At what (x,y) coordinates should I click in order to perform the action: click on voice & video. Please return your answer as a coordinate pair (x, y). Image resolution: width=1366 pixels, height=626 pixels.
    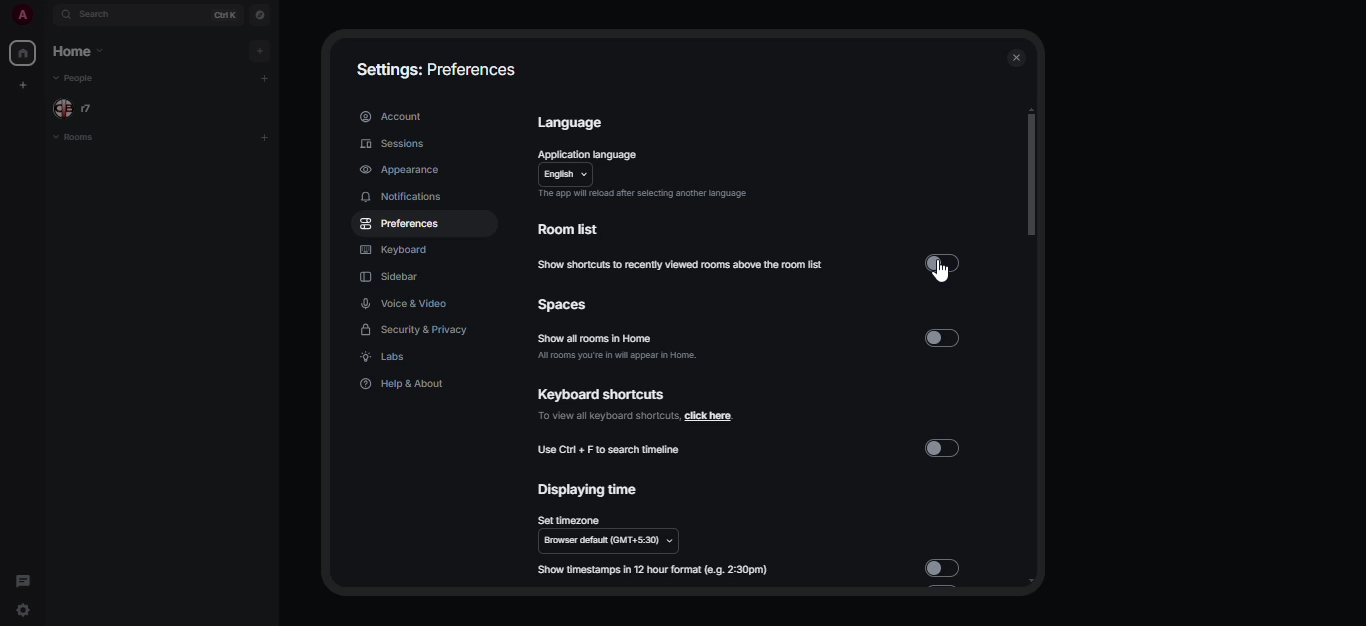
    Looking at the image, I should click on (405, 305).